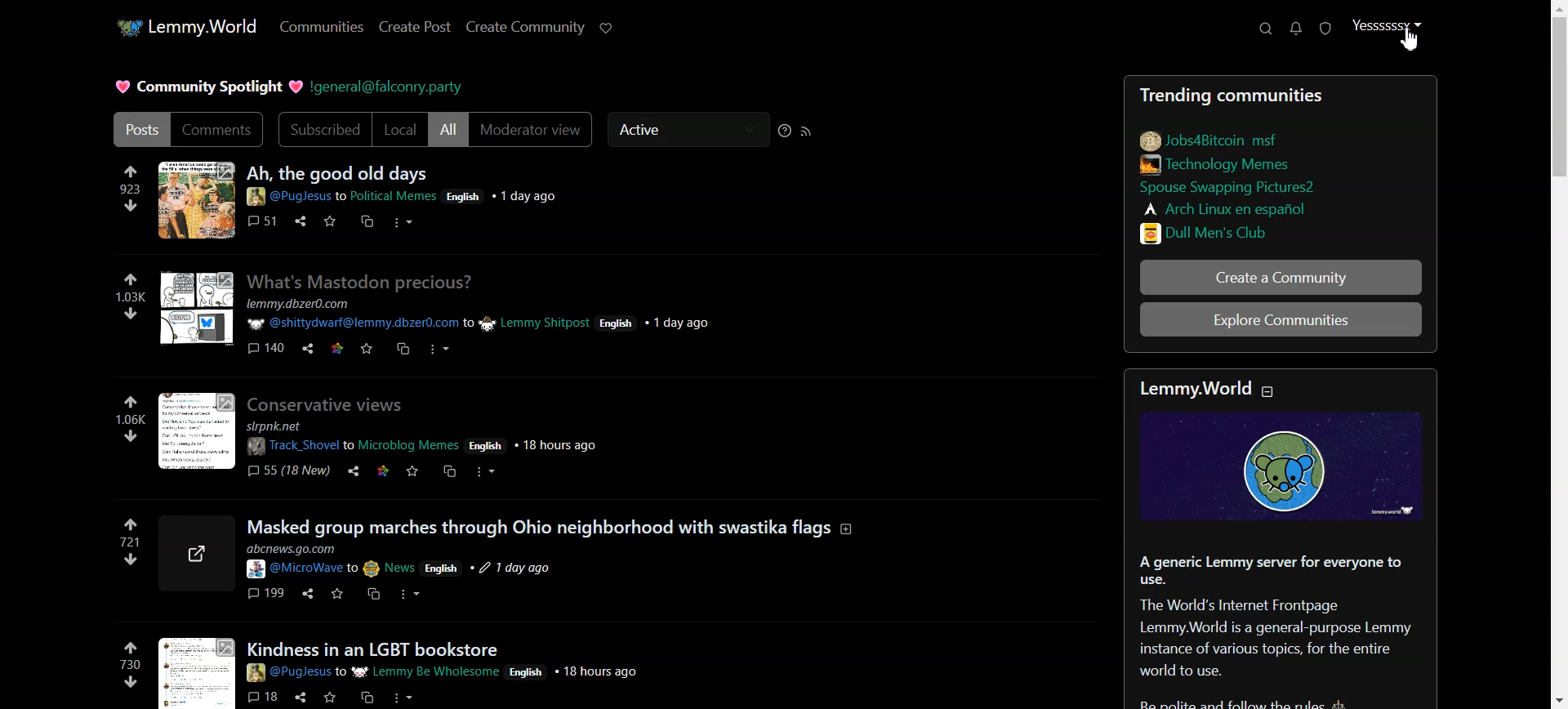 The width and height of the screenshot is (1568, 709). I want to click on post details, so click(428, 435).